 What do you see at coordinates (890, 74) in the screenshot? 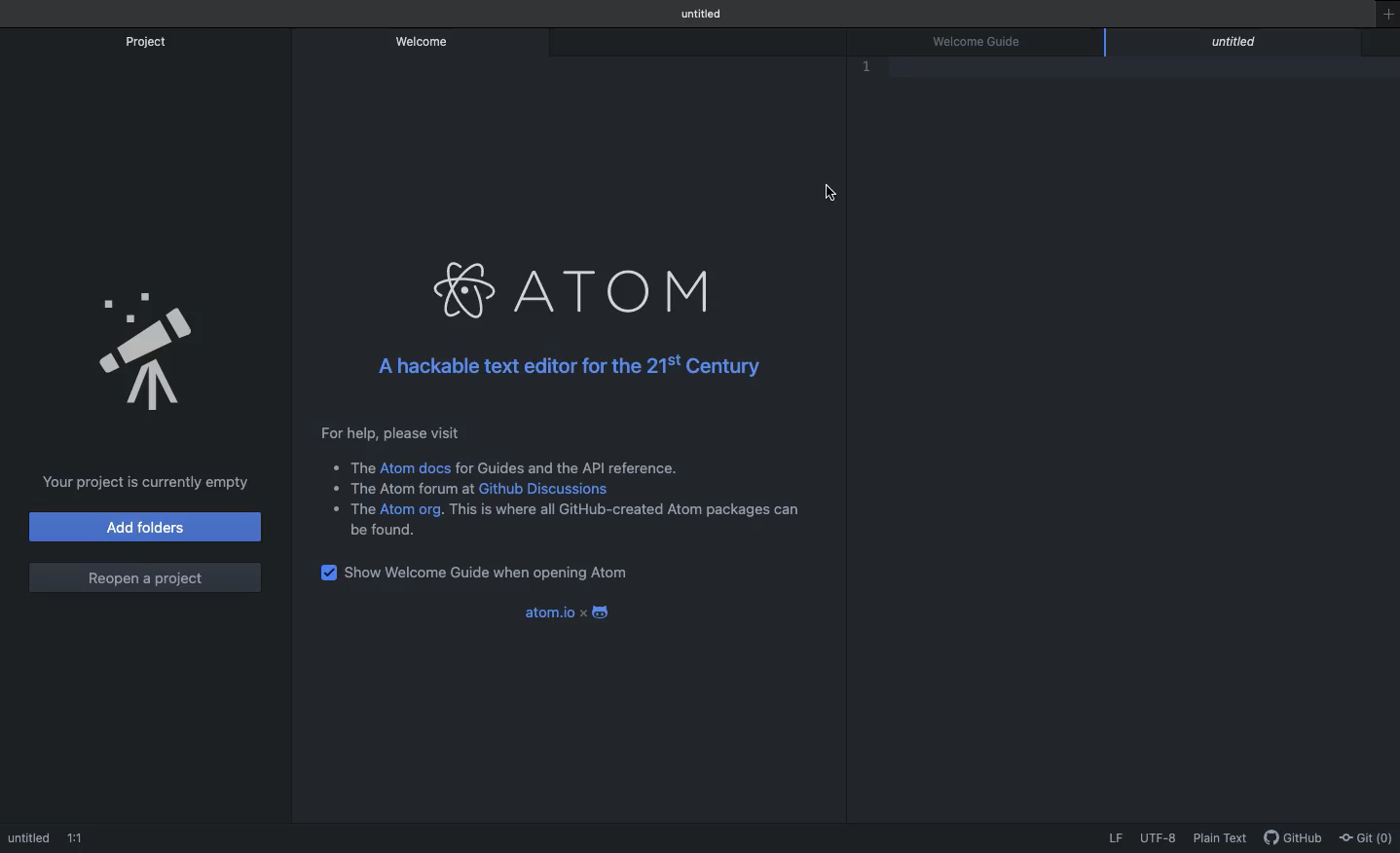
I see `Line numbering` at bounding box center [890, 74].